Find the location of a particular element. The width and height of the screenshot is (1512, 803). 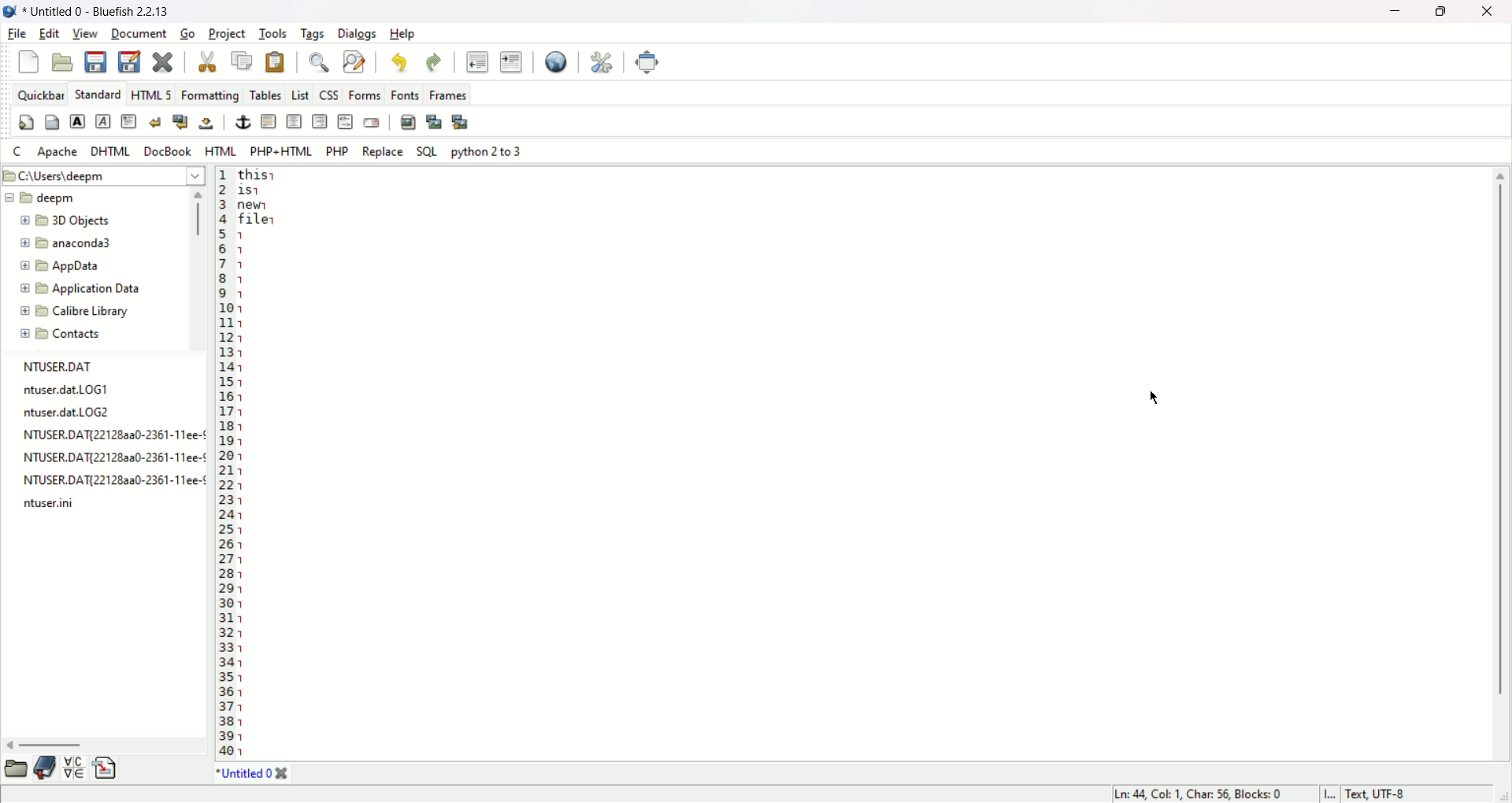

charmap is located at coordinates (74, 767).